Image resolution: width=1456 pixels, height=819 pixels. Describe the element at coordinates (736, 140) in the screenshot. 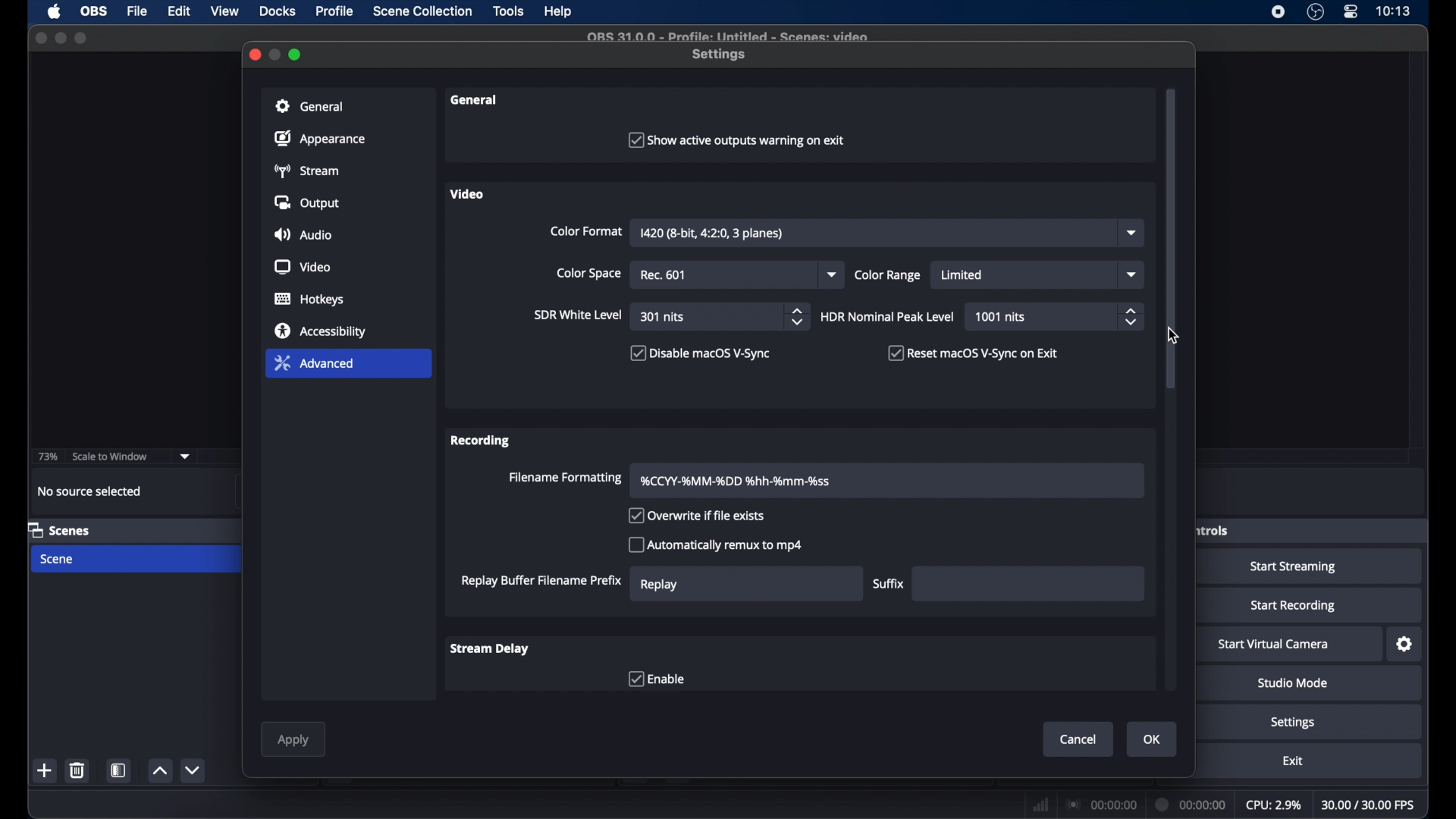

I see `checkbox` at that location.